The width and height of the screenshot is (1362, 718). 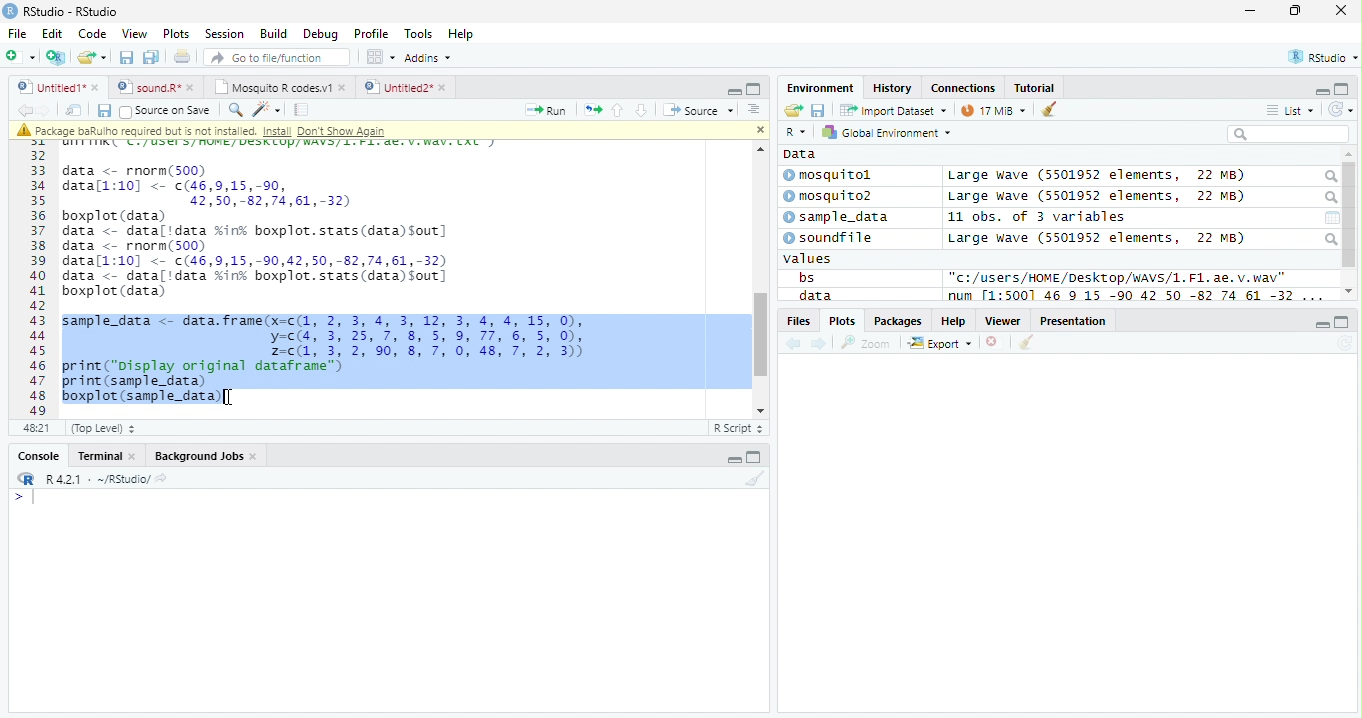 What do you see at coordinates (224, 33) in the screenshot?
I see `Session` at bounding box center [224, 33].